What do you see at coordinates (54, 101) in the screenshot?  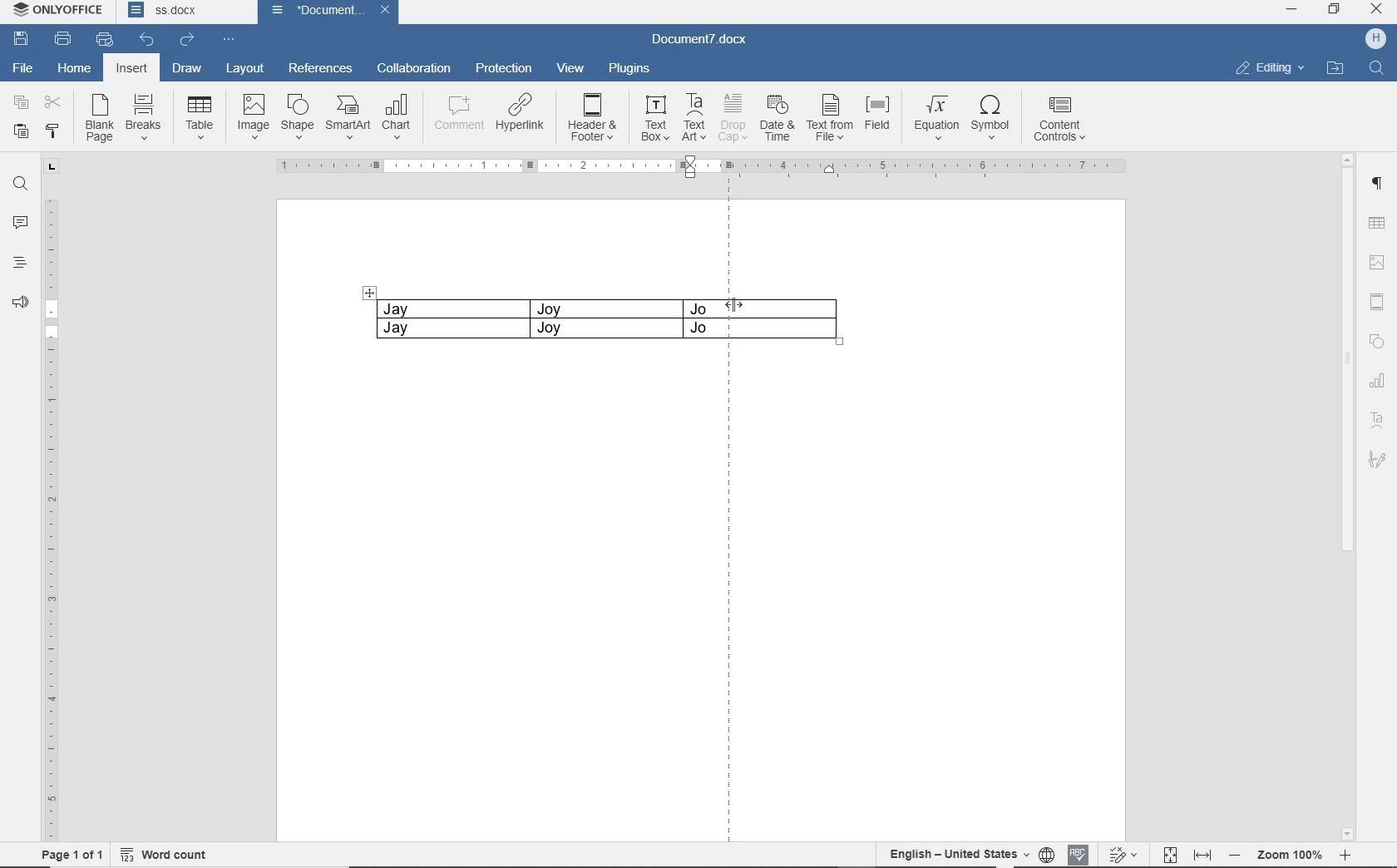 I see `CUT` at bounding box center [54, 101].